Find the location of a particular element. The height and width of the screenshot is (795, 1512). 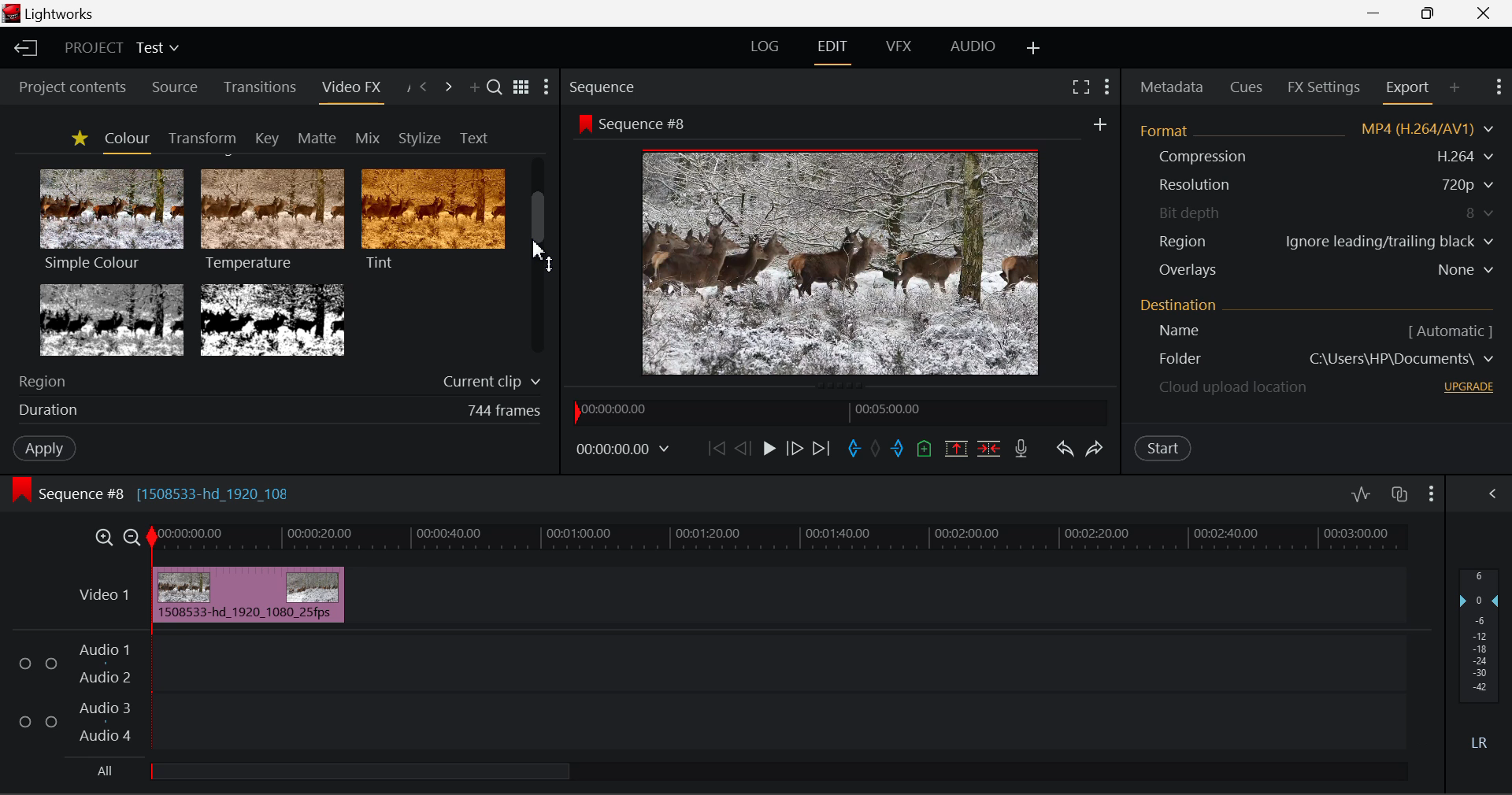

Compression is located at coordinates (1200, 157).